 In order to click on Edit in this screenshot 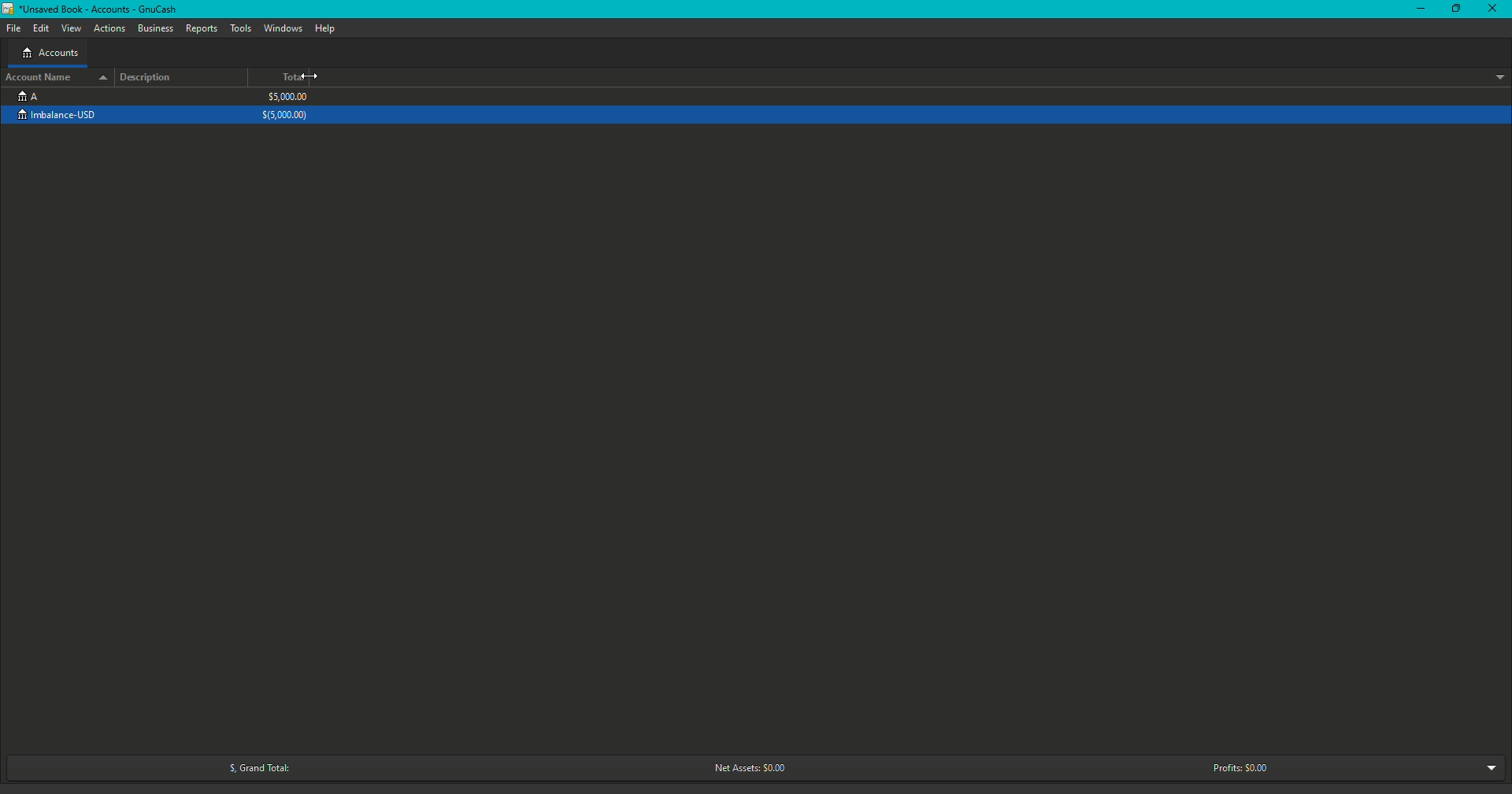, I will do `click(41, 29)`.